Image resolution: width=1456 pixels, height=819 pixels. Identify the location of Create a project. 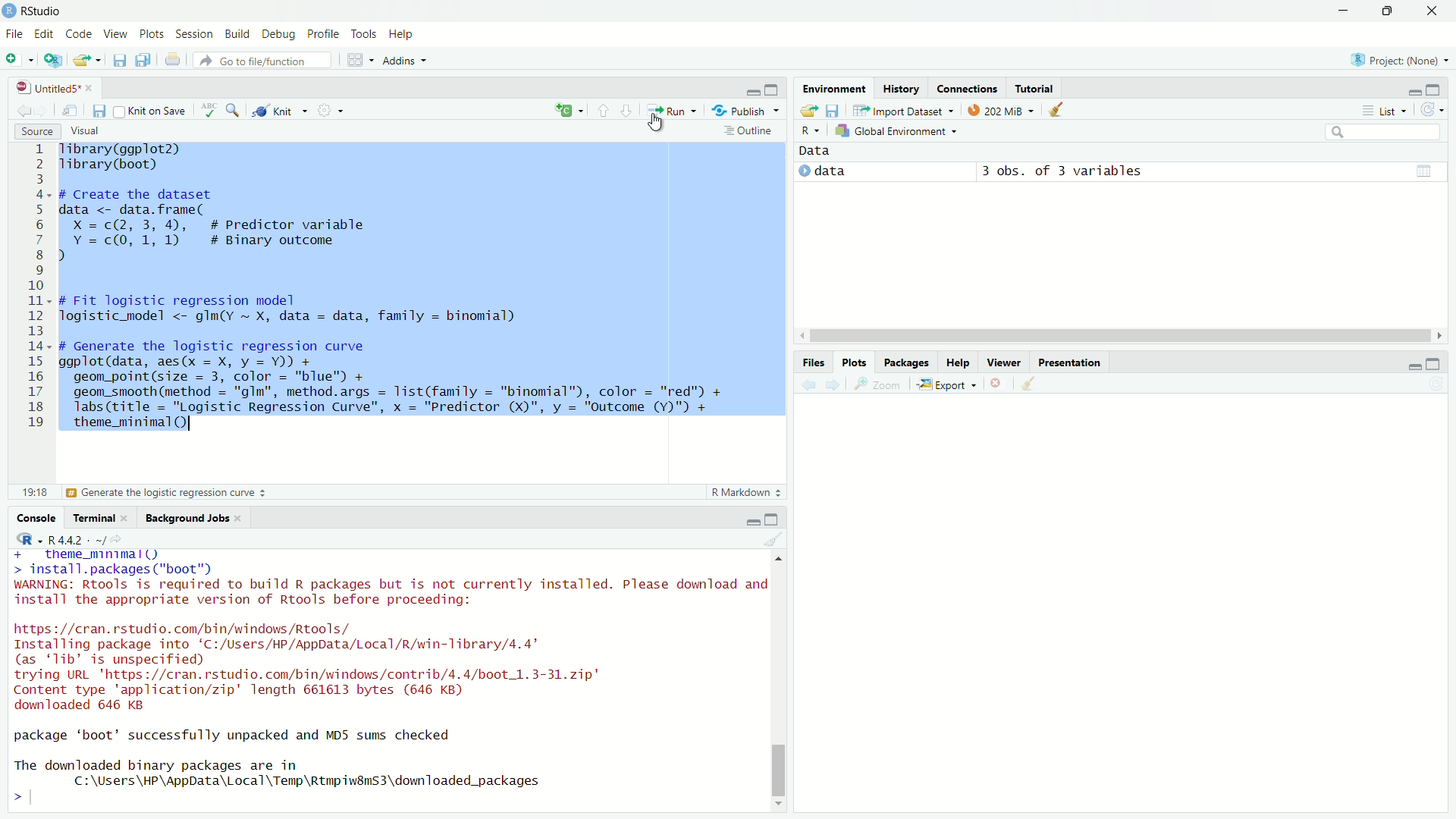
(52, 60).